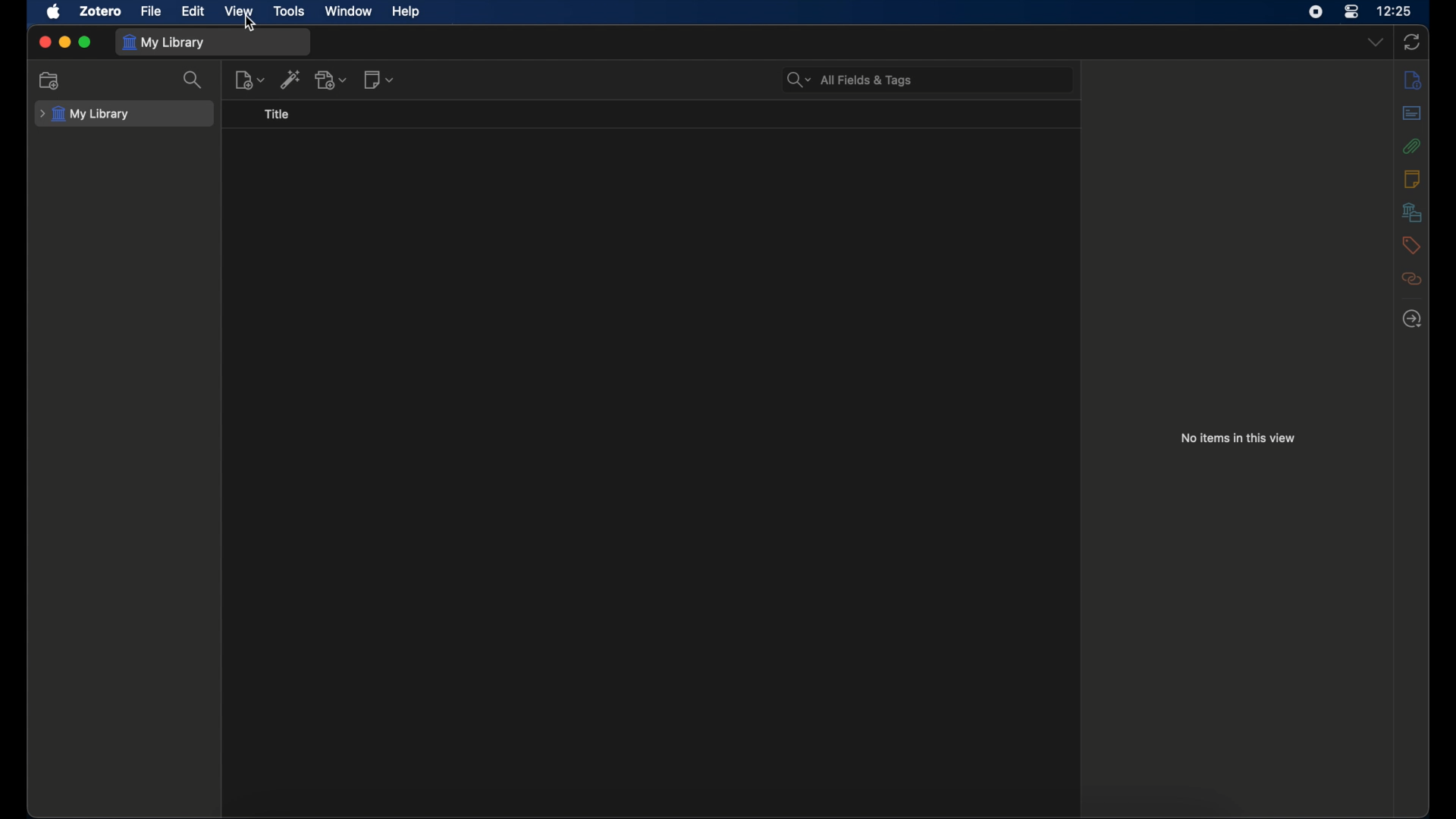 The width and height of the screenshot is (1456, 819). I want to click on zotero, so click(101, 11).